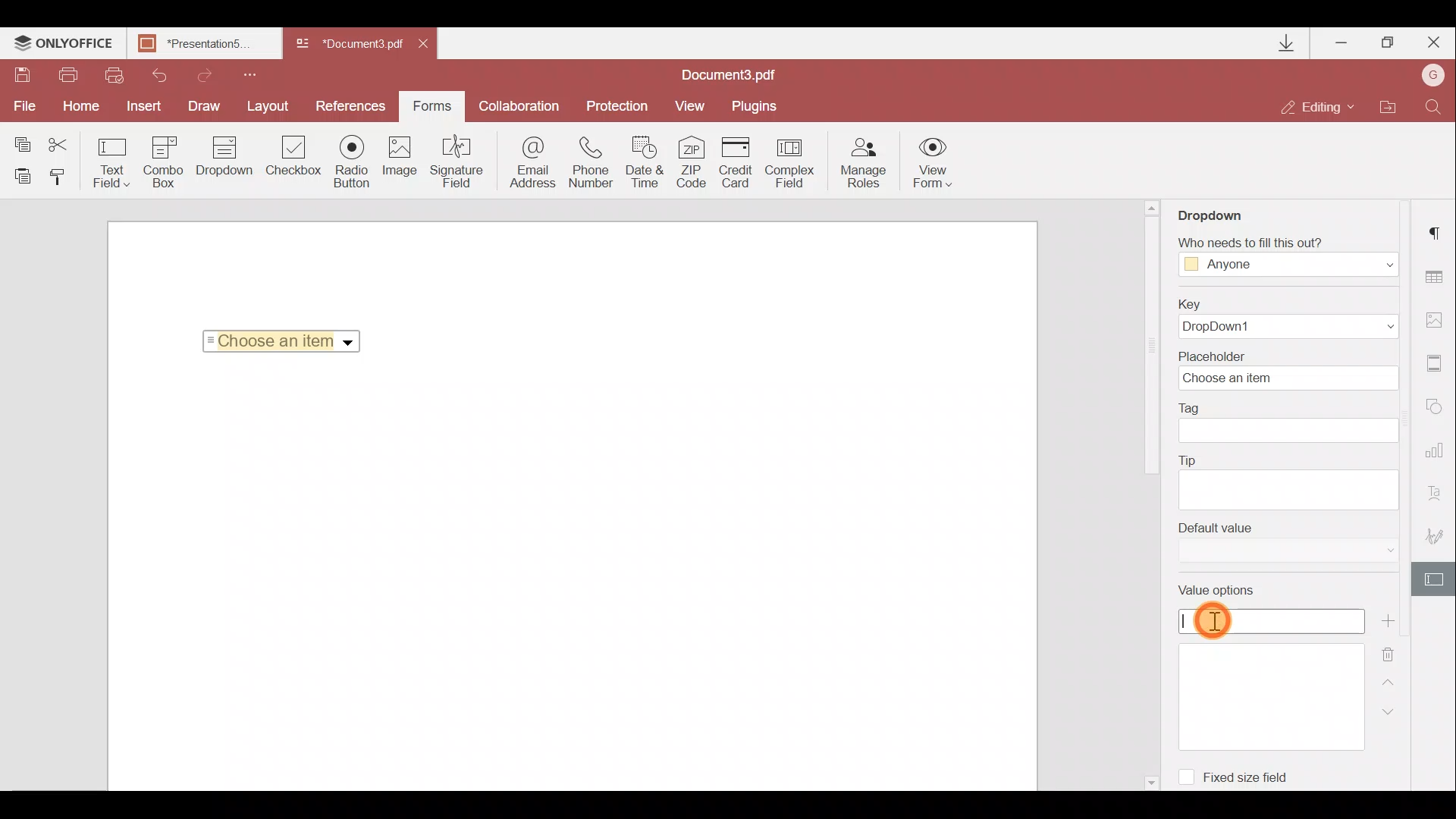  I want to click on Insert, so click(140, 103).